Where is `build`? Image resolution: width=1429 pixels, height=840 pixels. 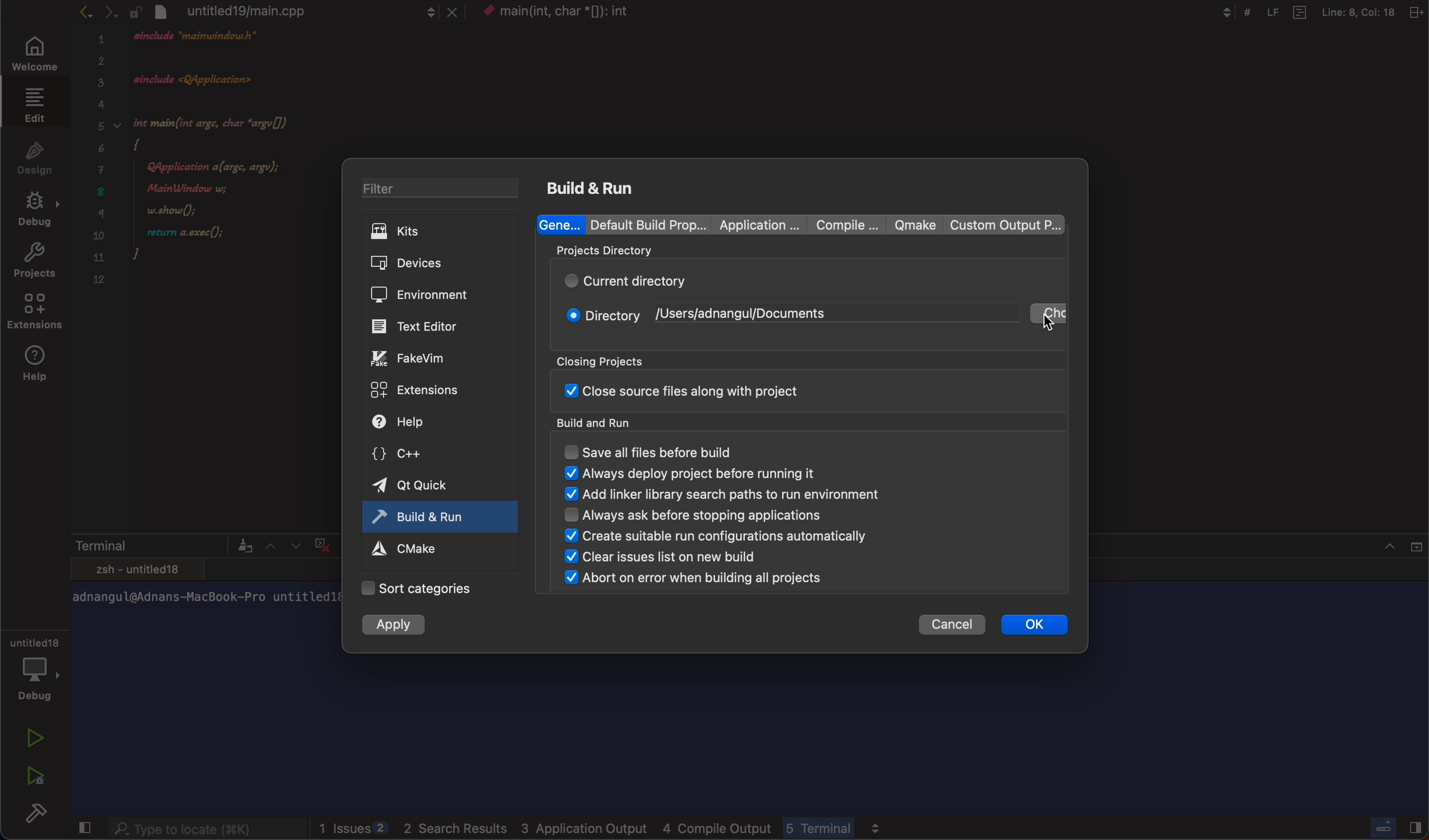
build is located at coordinates (33, 814).